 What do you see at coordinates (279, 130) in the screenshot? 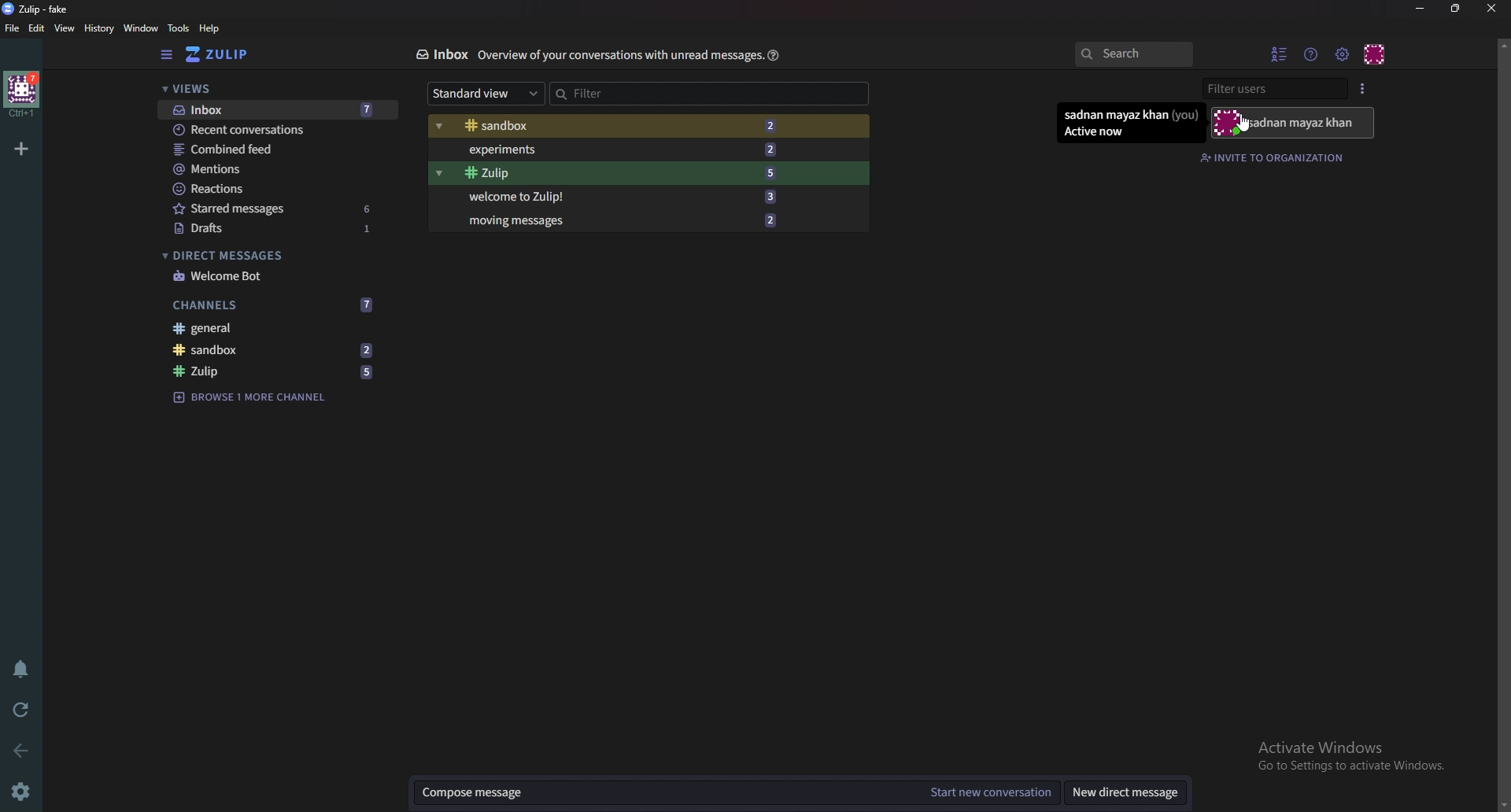
I see `Recent conversations` at bounding box center [279, 130].